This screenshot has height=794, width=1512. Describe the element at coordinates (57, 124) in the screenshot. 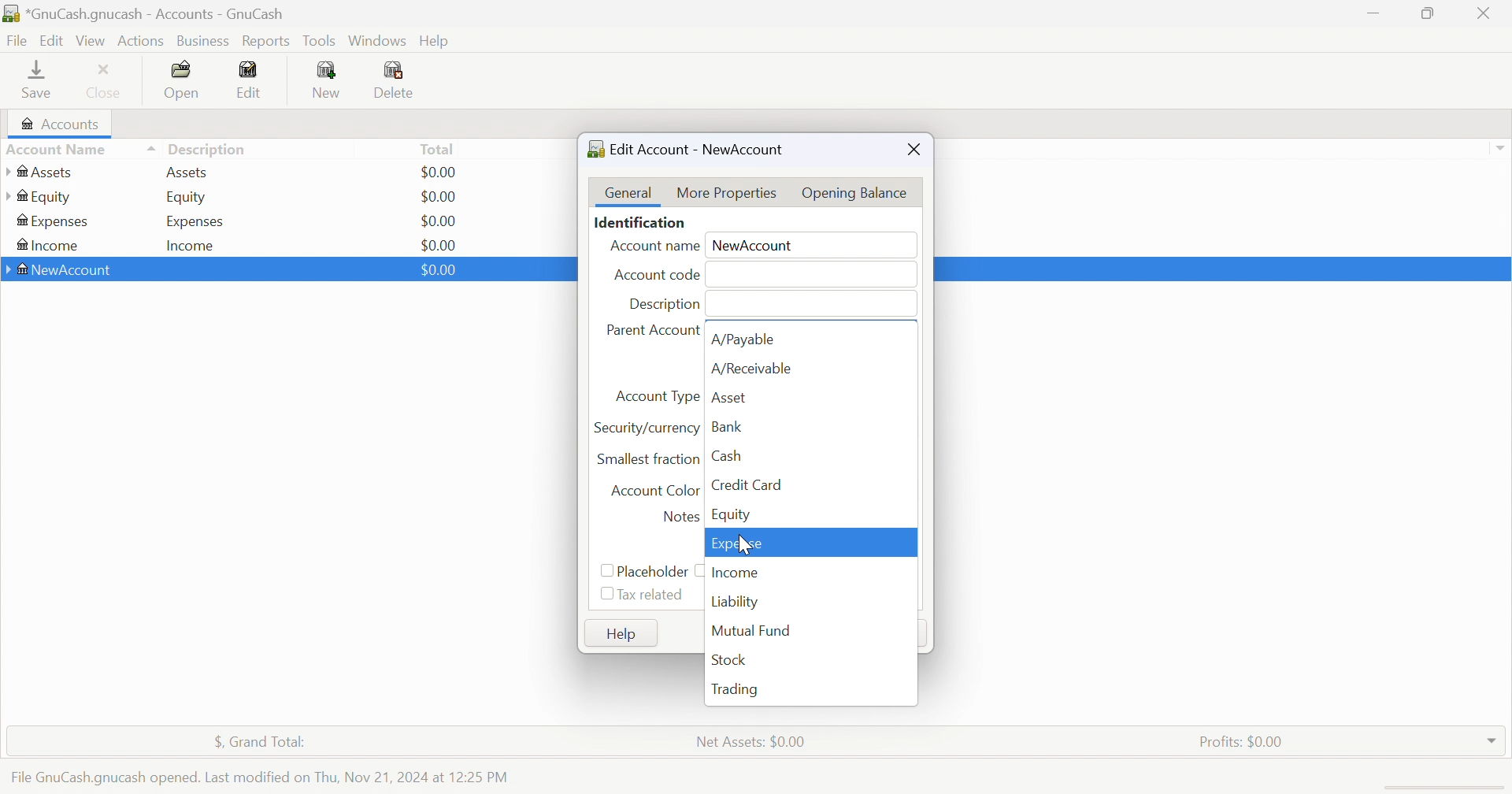

I see `Accounts` at that location.